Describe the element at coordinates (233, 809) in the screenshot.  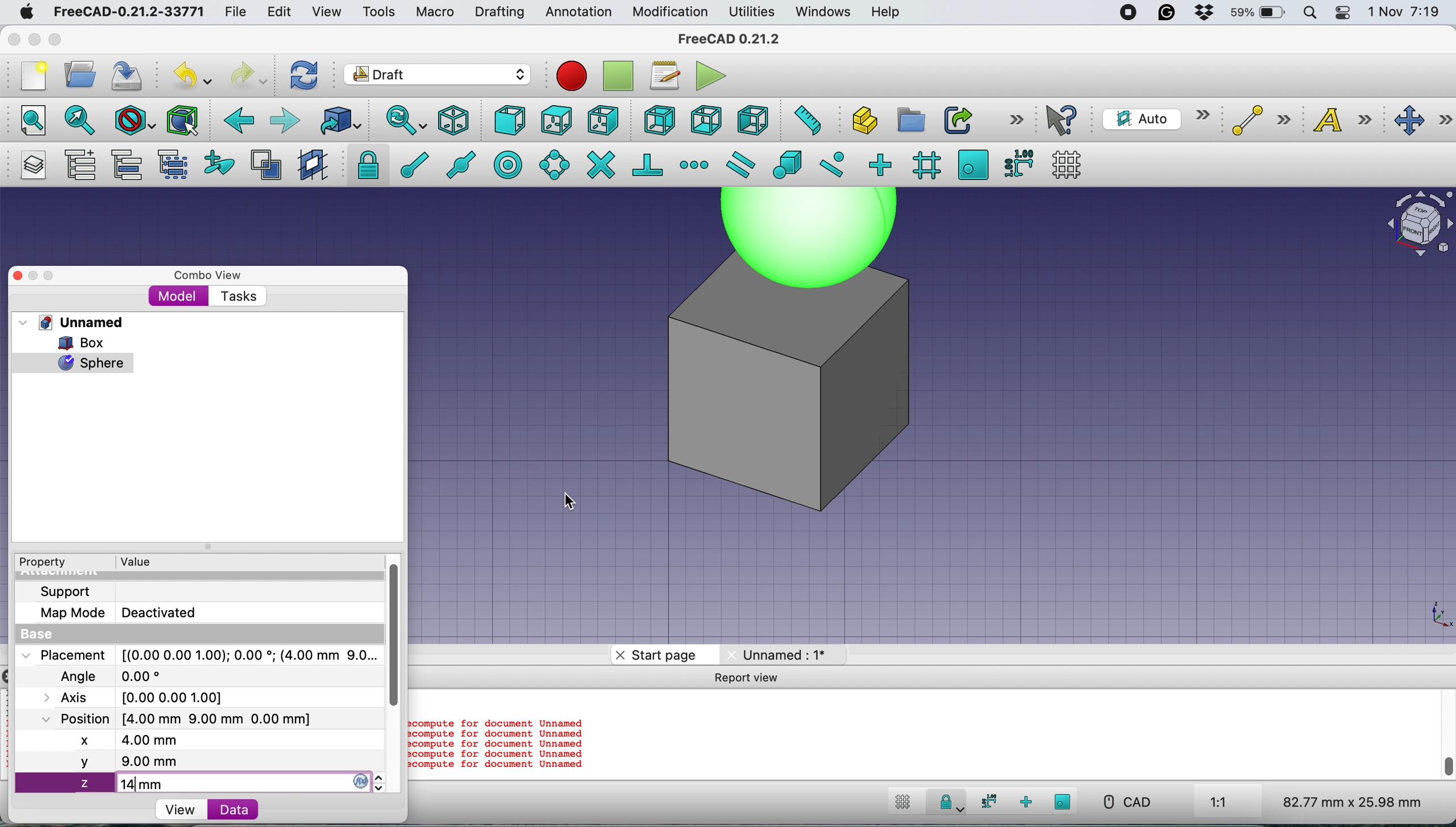
I see `data` at that location.